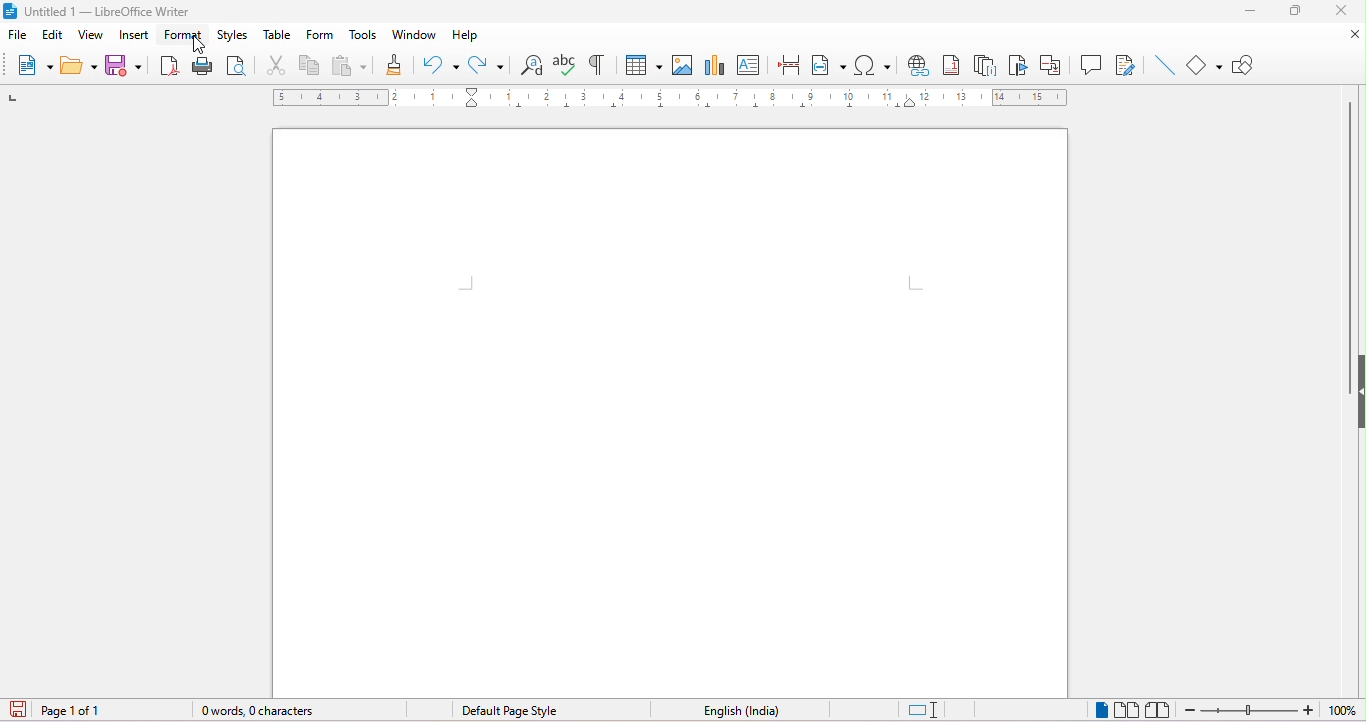 The width and height of the screenshot is (1366, 722). What do you see at coordinates (413, 35) in the screenshot?
I see `window` at bounding box center [413, 35].